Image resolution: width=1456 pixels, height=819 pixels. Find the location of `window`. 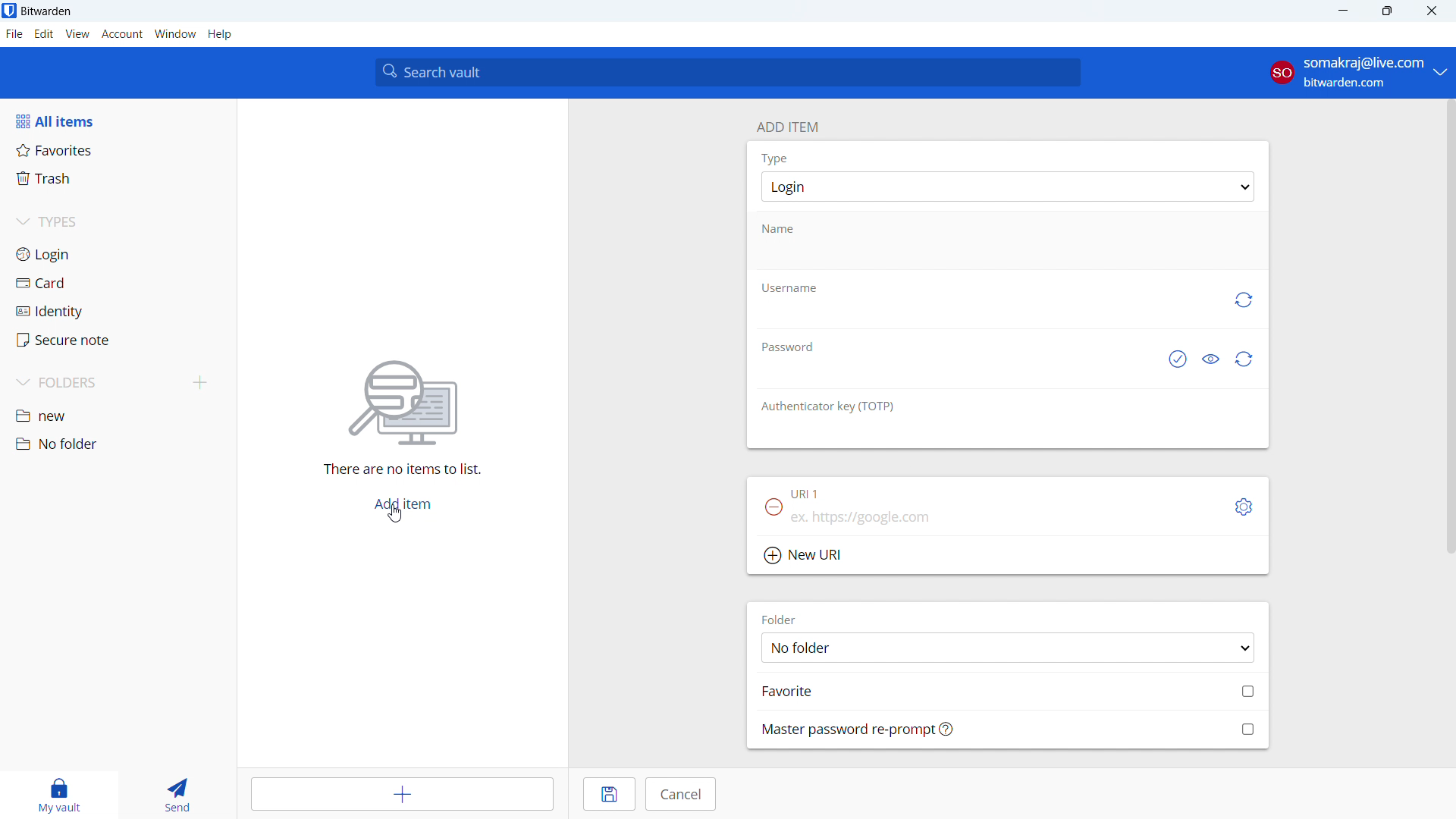

window is located at coordinates (175, 34).